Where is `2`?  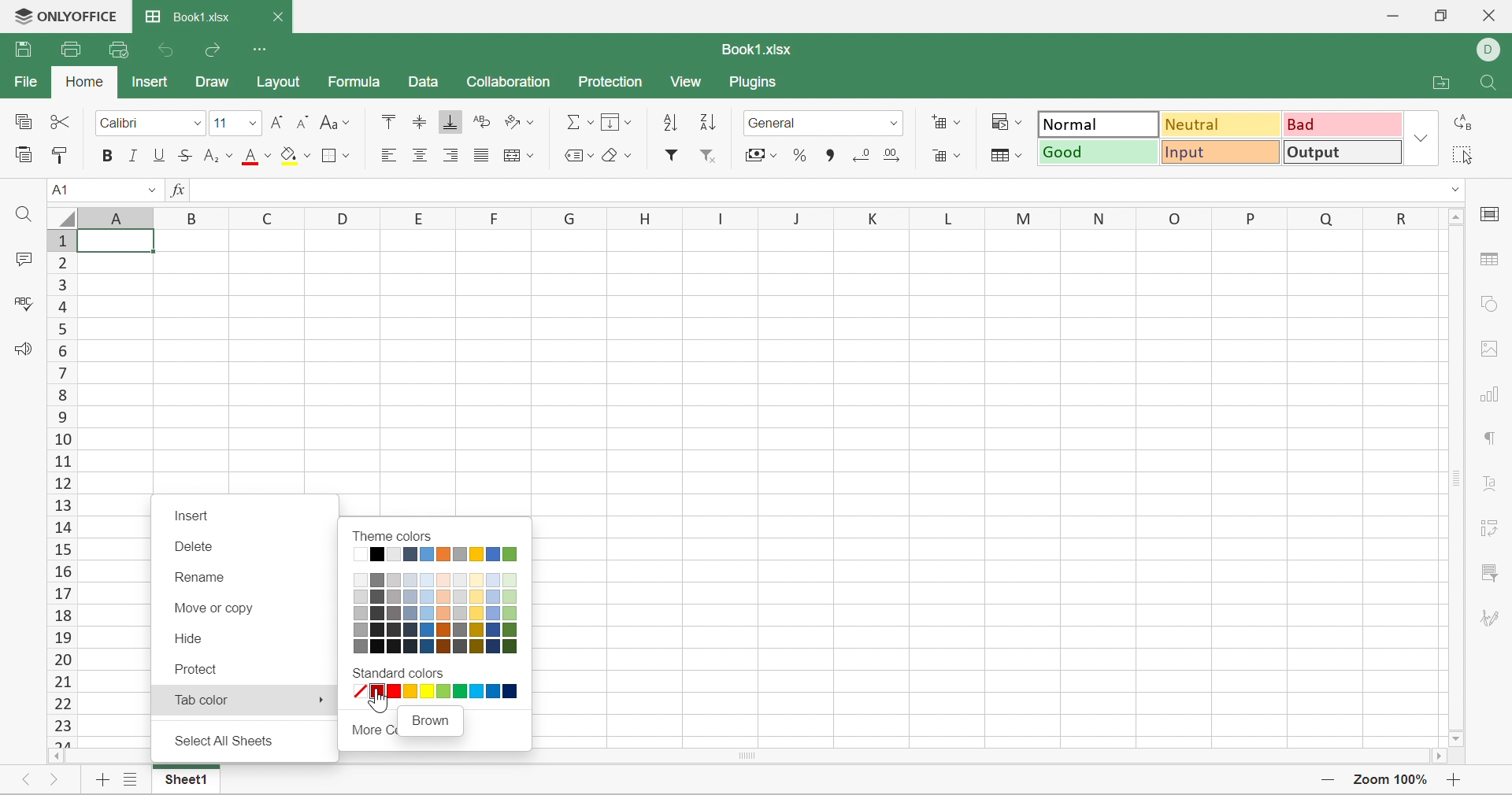 2 is located at coordinates (61, 263).